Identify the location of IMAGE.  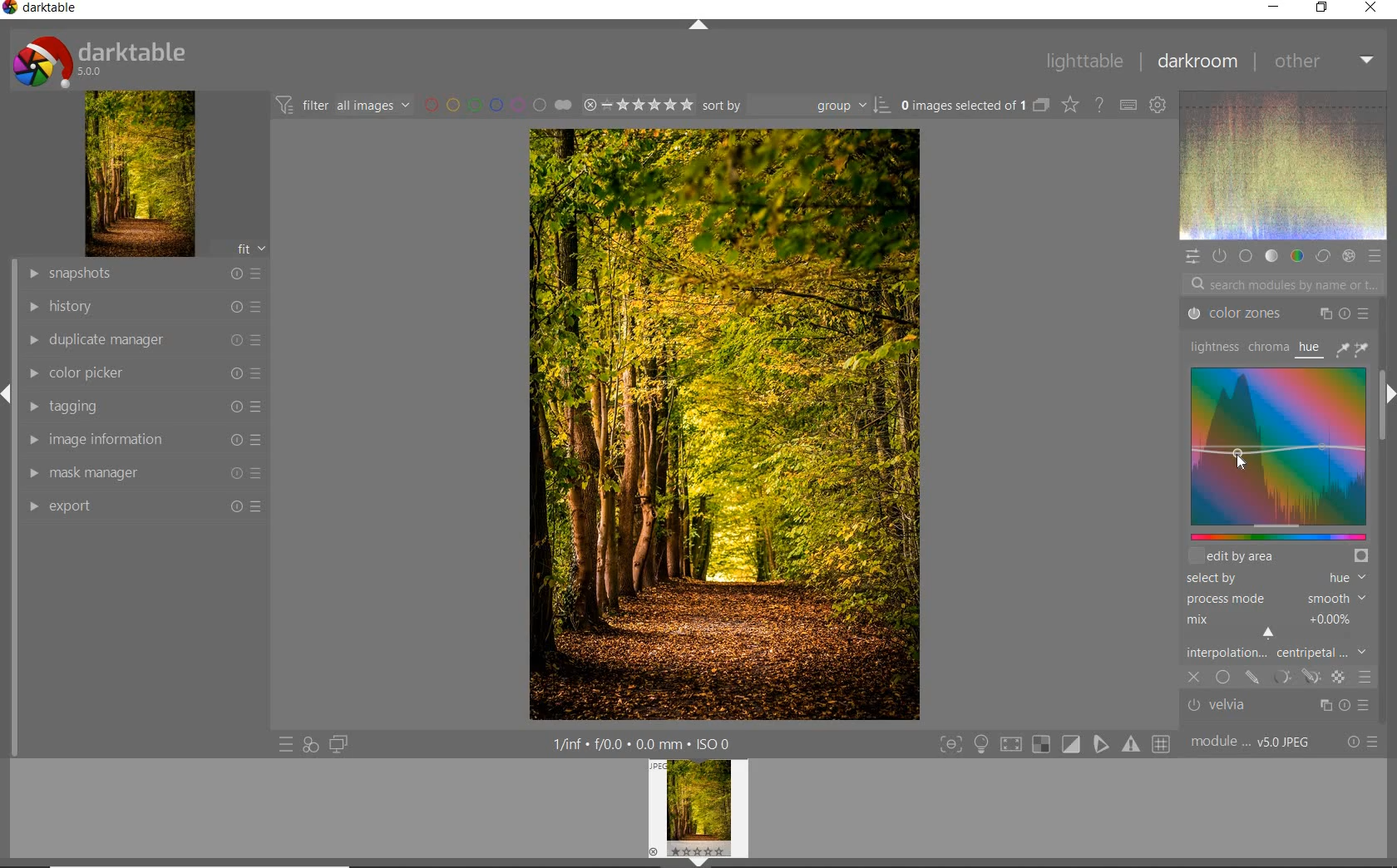
(137, 173).